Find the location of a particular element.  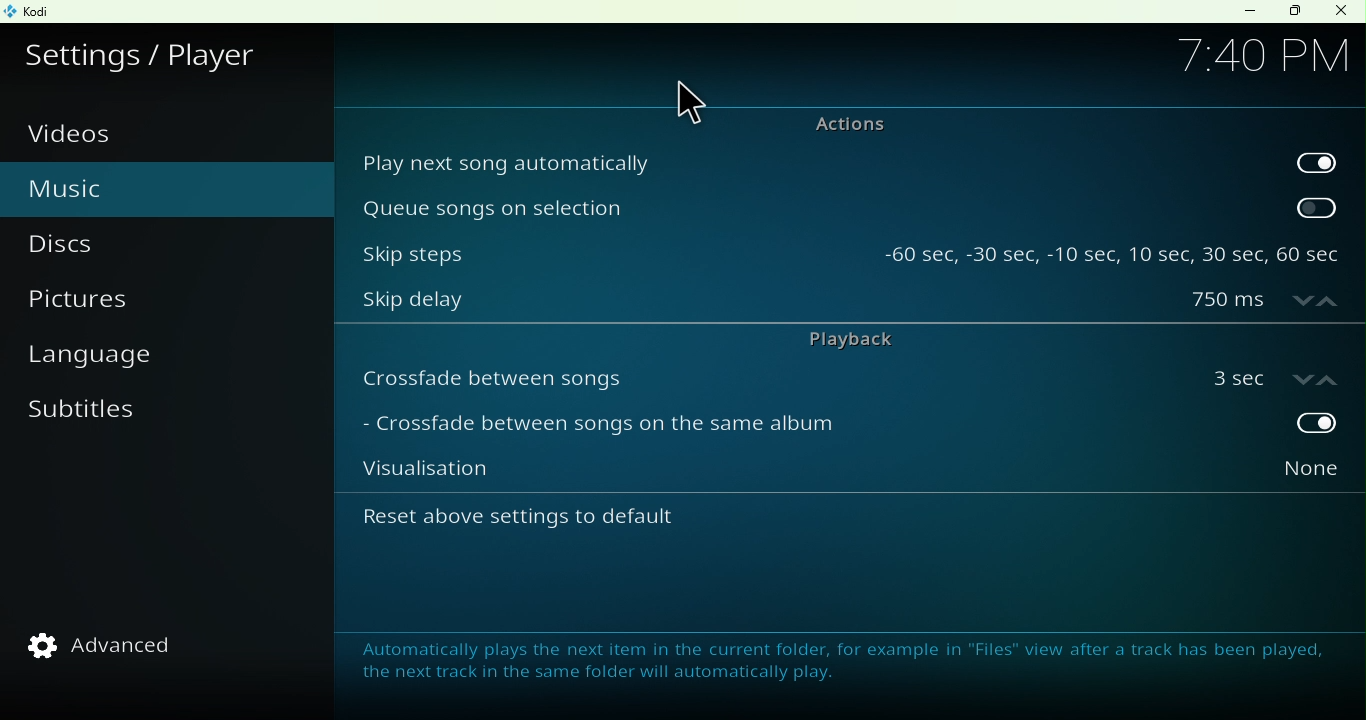

toggle is located at coordinates (1316, 160).